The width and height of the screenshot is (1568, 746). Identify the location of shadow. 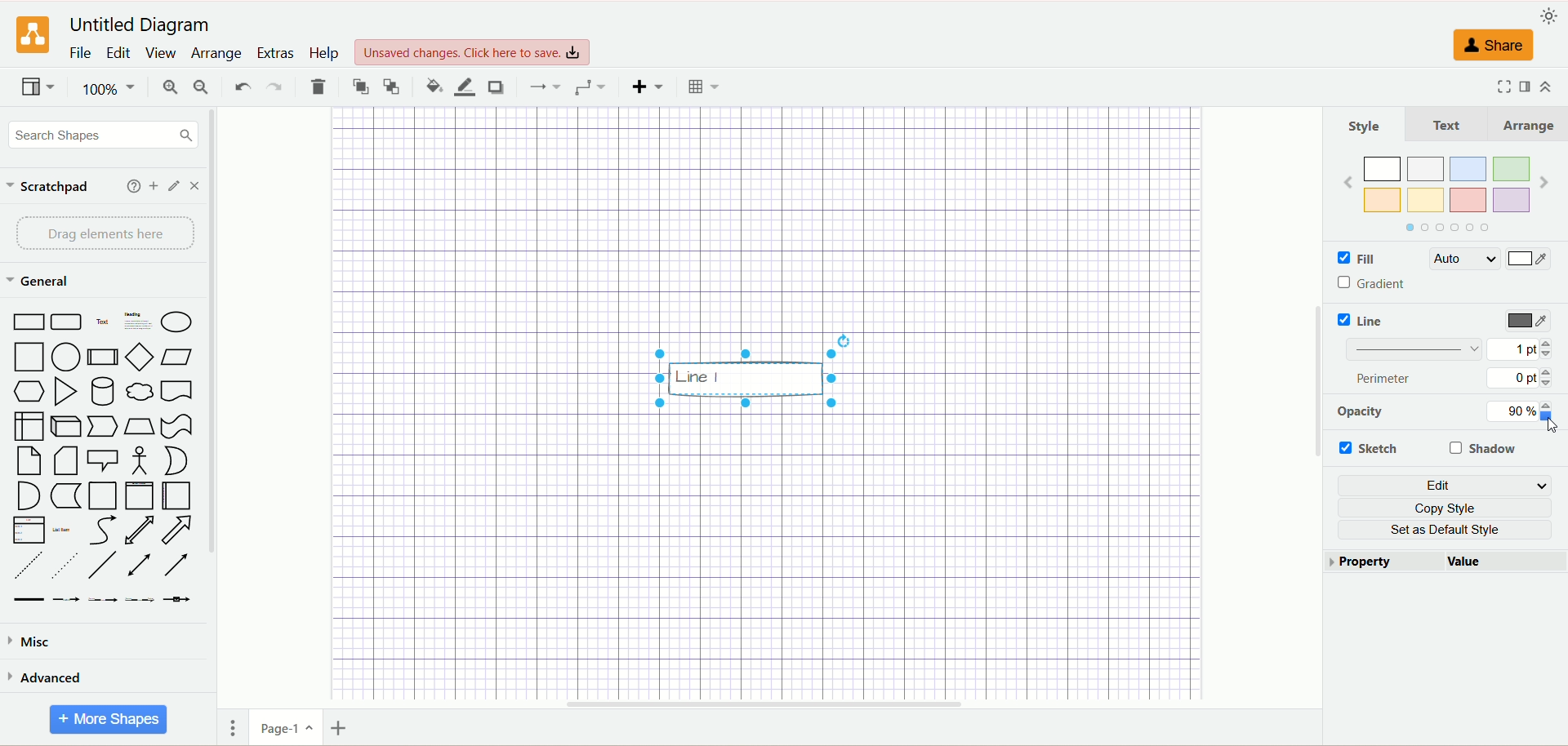
(497, 87).